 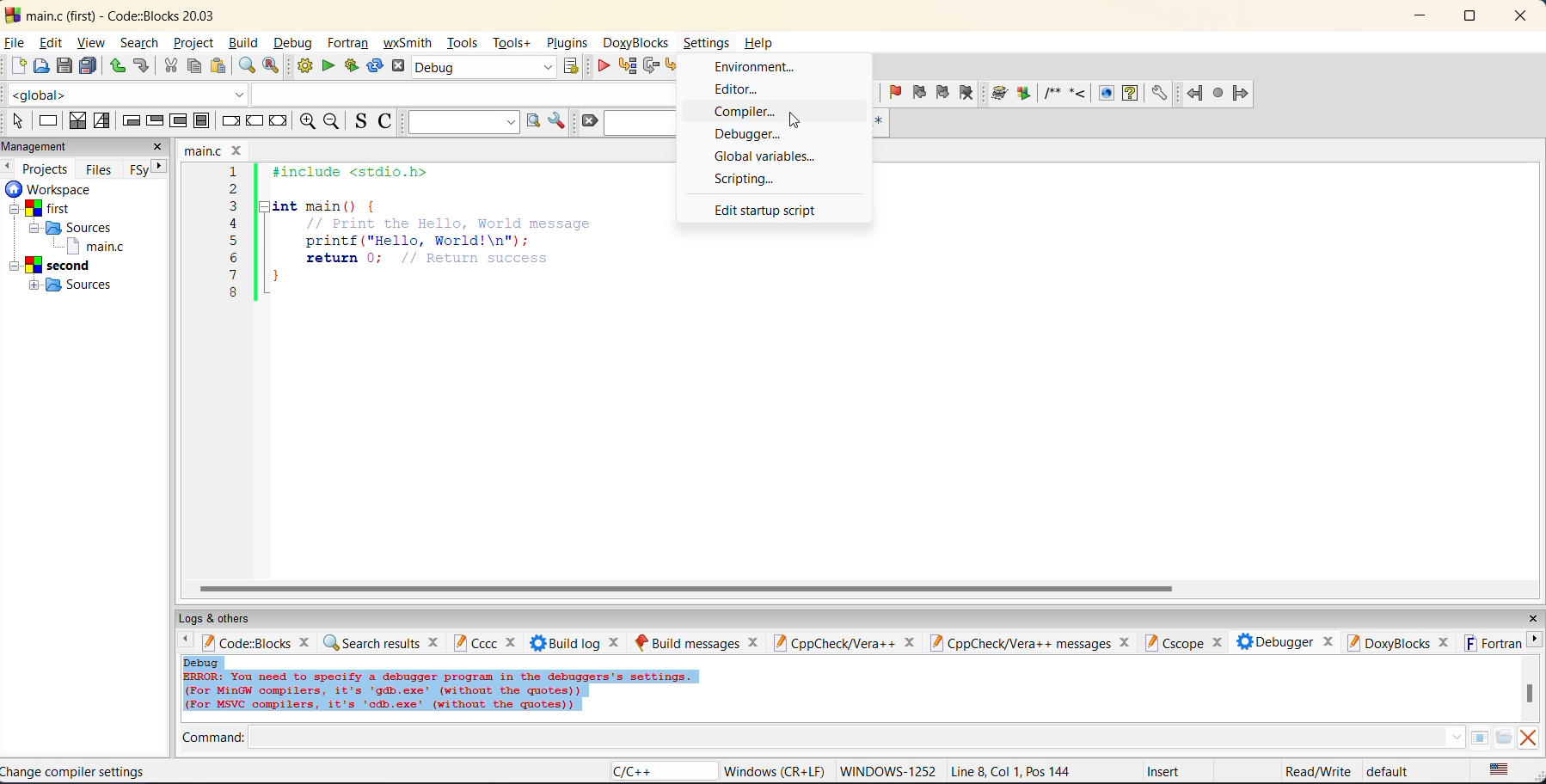 What do you see at coordinates (20, 121) in the screenshot?
I see `select` at bounding box center [20, 121].